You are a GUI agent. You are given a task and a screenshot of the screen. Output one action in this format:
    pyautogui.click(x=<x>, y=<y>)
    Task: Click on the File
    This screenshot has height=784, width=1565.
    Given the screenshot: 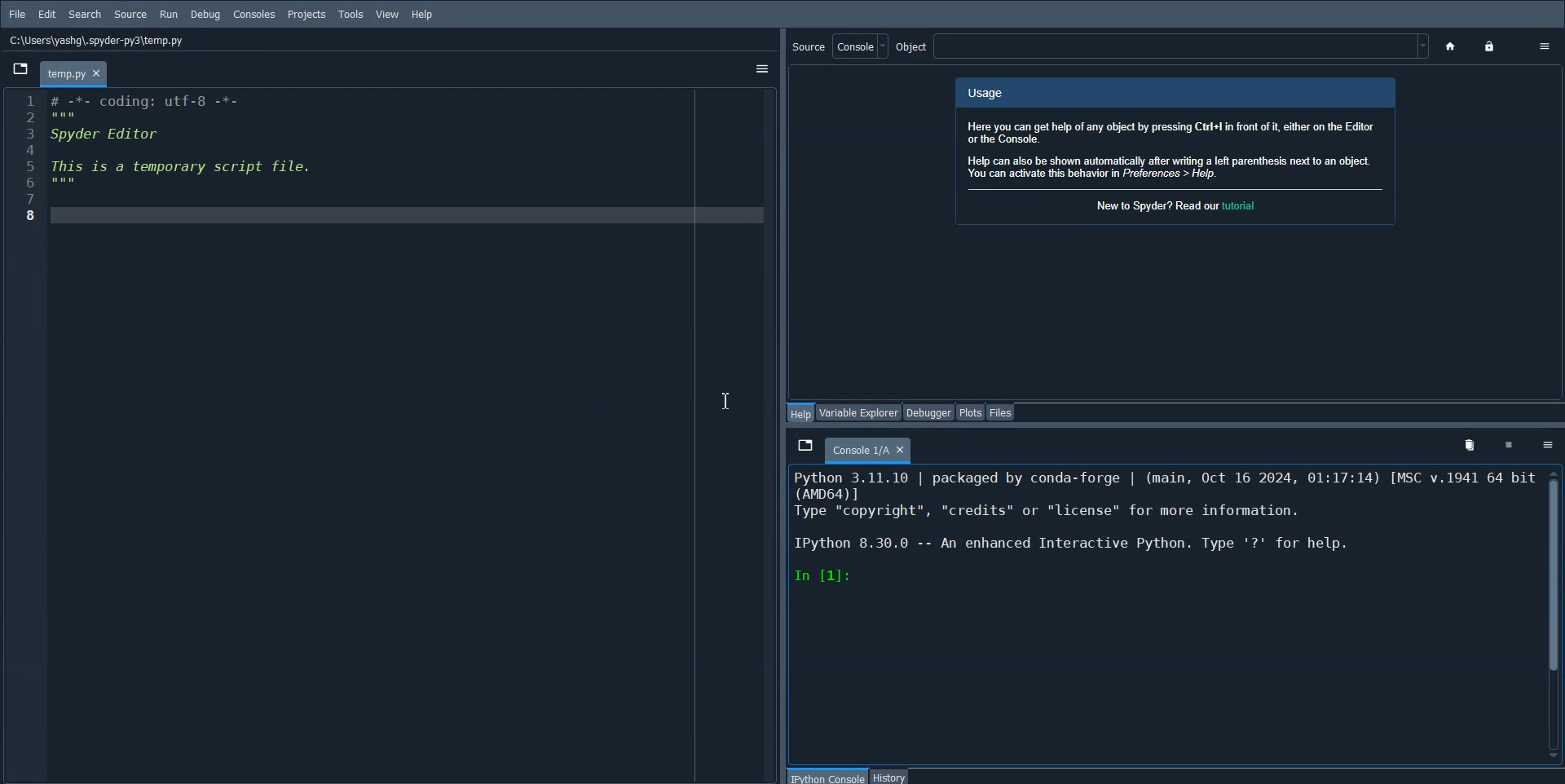 What is the action you would take?
    pyautogui.click(x=16, y=15)
    